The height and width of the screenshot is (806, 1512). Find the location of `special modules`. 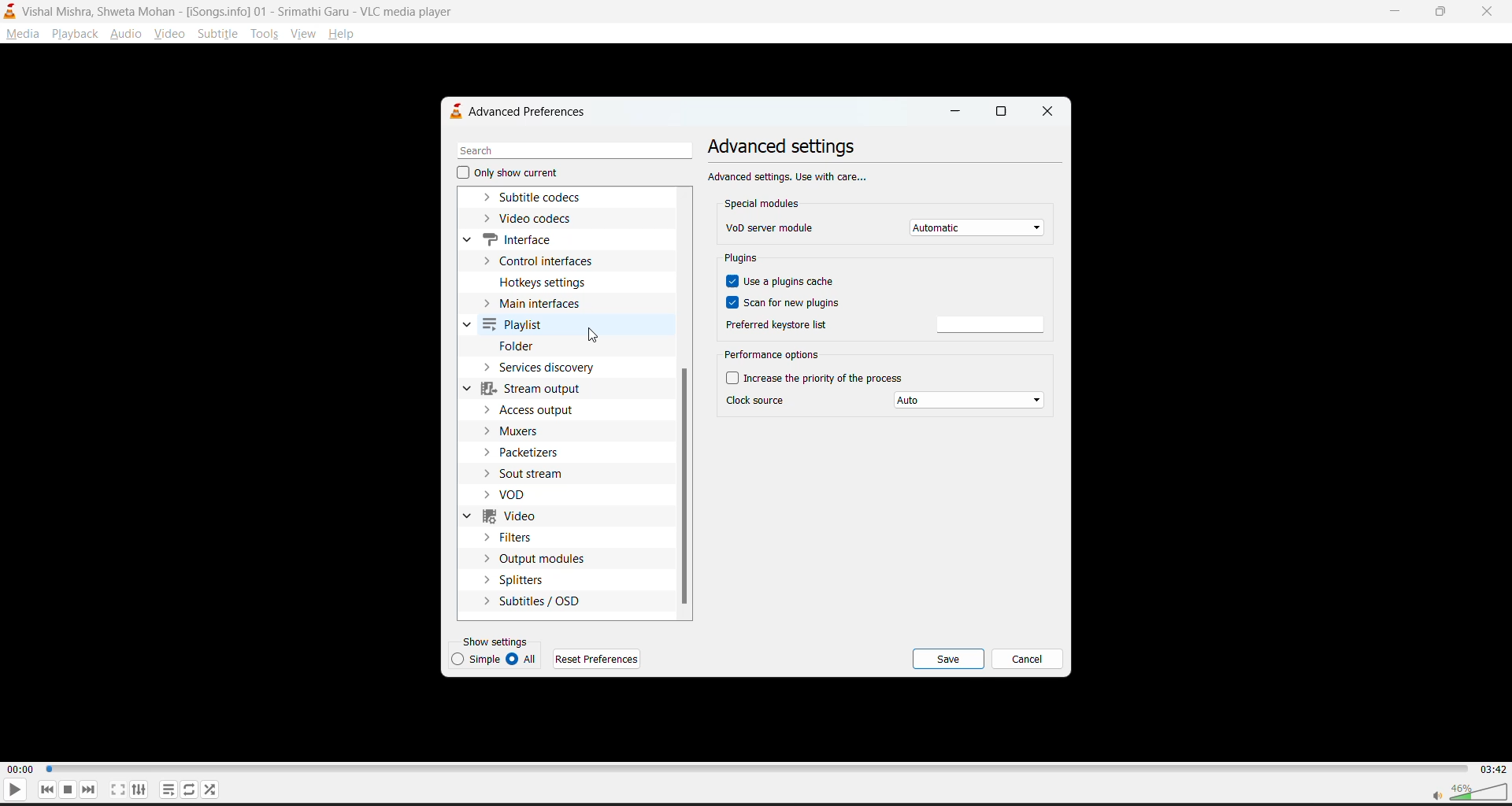

special modules is located at coordinates (765, 203).